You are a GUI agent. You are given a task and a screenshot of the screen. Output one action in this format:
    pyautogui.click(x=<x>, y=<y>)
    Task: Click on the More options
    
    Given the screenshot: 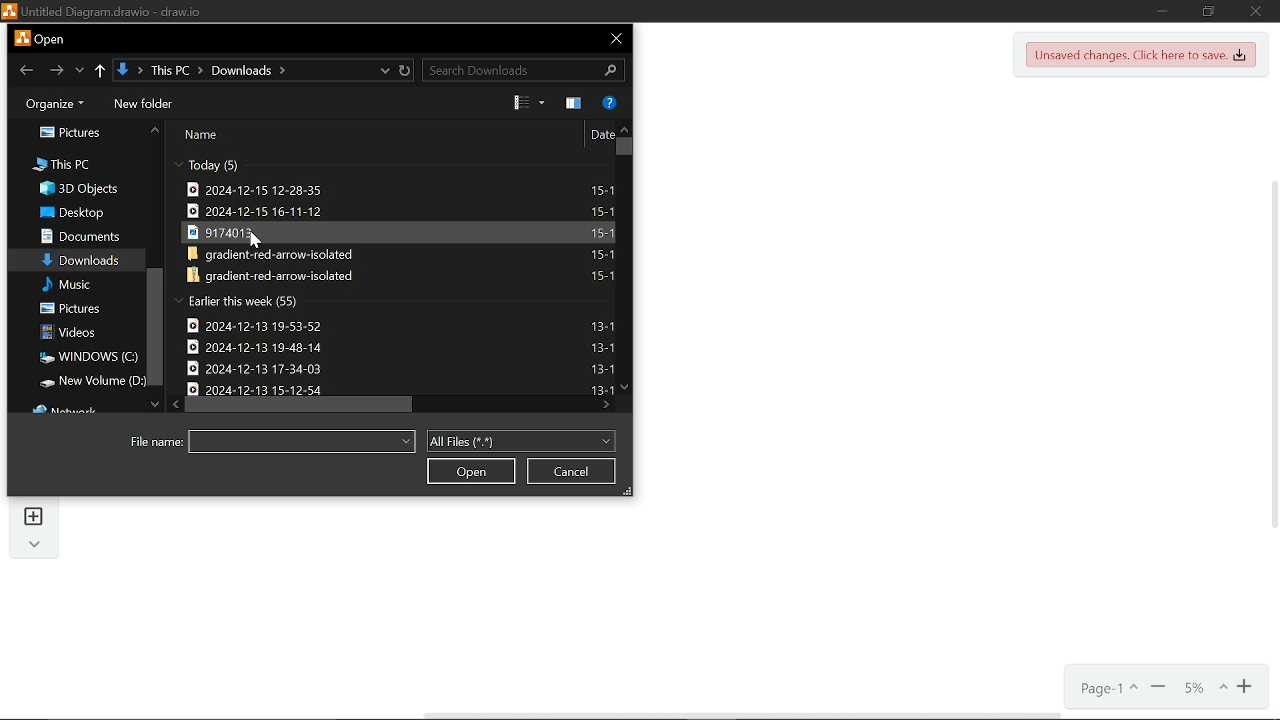 What is the action you would take?
    pyautogui.click(x=572, y=104)
    